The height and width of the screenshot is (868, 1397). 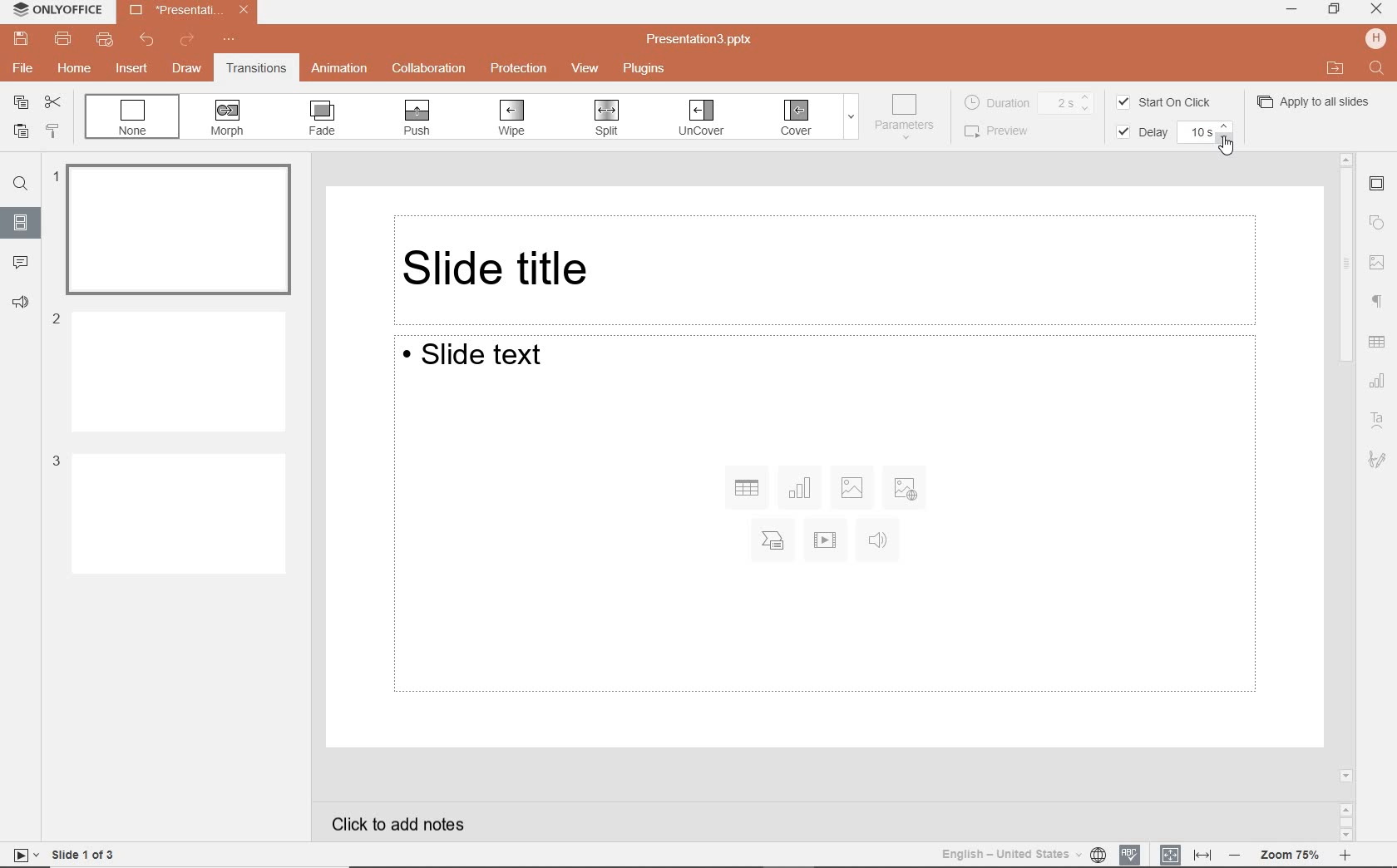 What do you see at coordinates (414, 118) in the screenshot?
I see `PUSH` at bounding box center [414, 118].